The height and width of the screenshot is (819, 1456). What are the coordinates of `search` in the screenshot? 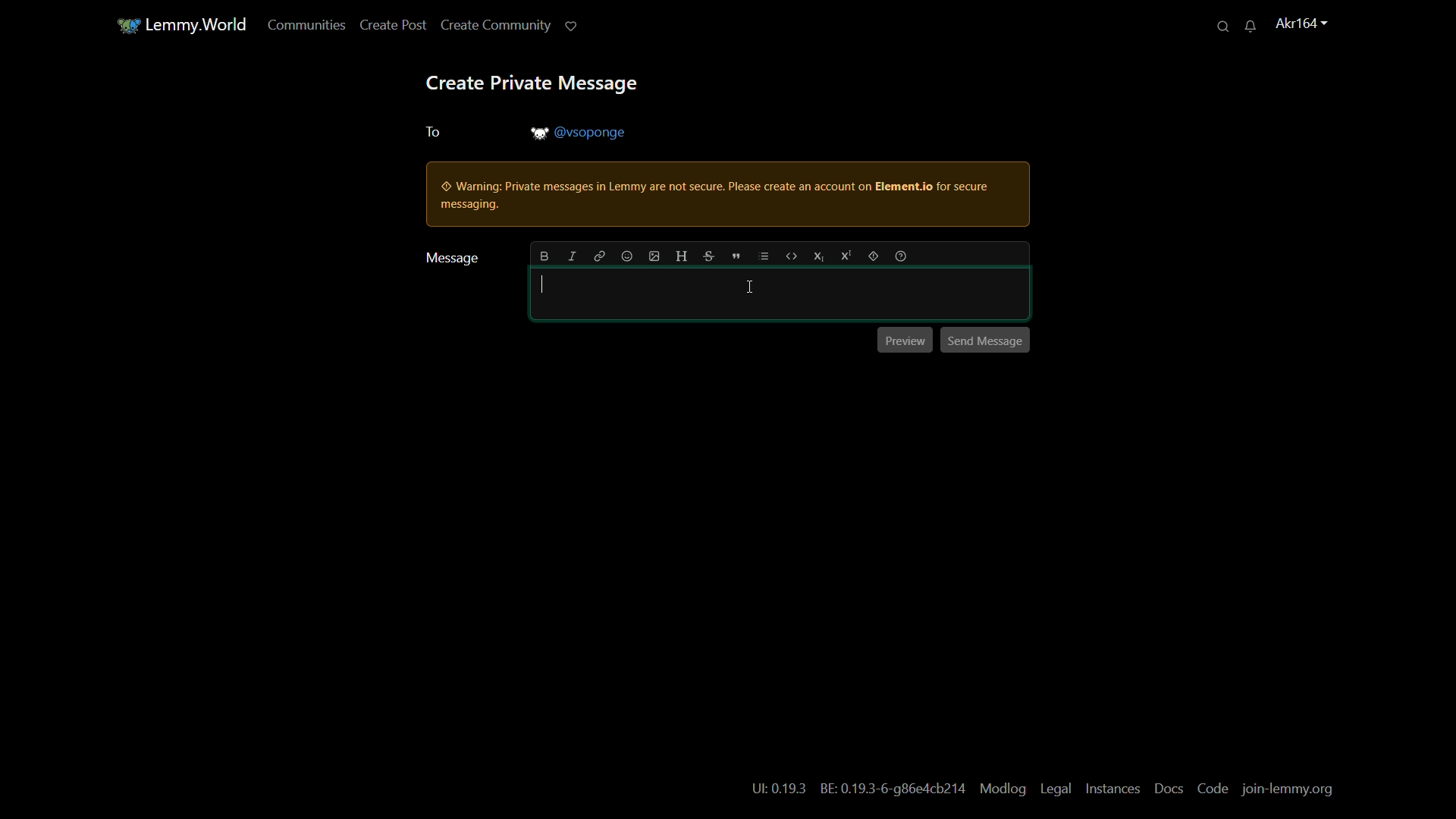 It's located at (1216, 25).